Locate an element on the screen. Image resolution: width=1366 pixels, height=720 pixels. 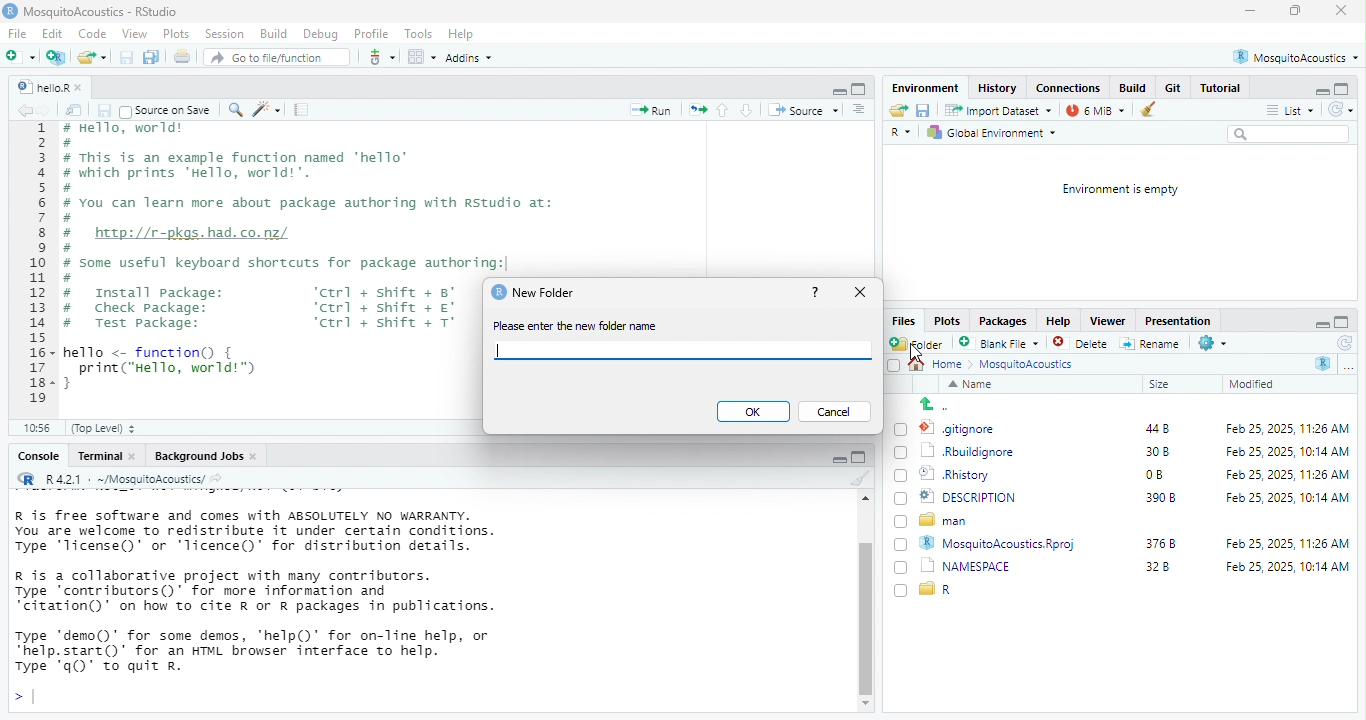
save current document is located at coordinates (105, 110).